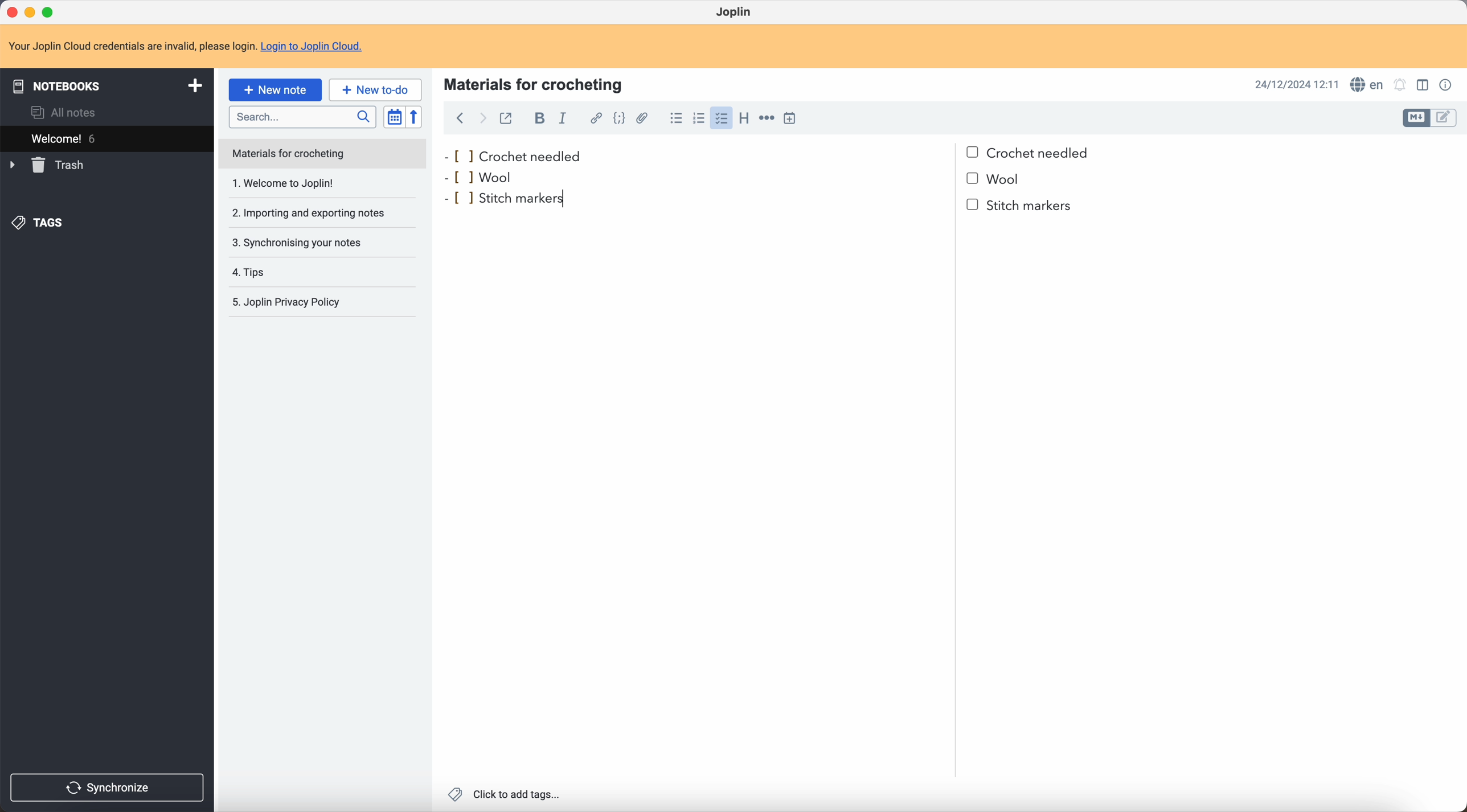  What do you see at coordinates (565, 118) in the screenshot?
I see `italic` at bounding box center [565, 118].